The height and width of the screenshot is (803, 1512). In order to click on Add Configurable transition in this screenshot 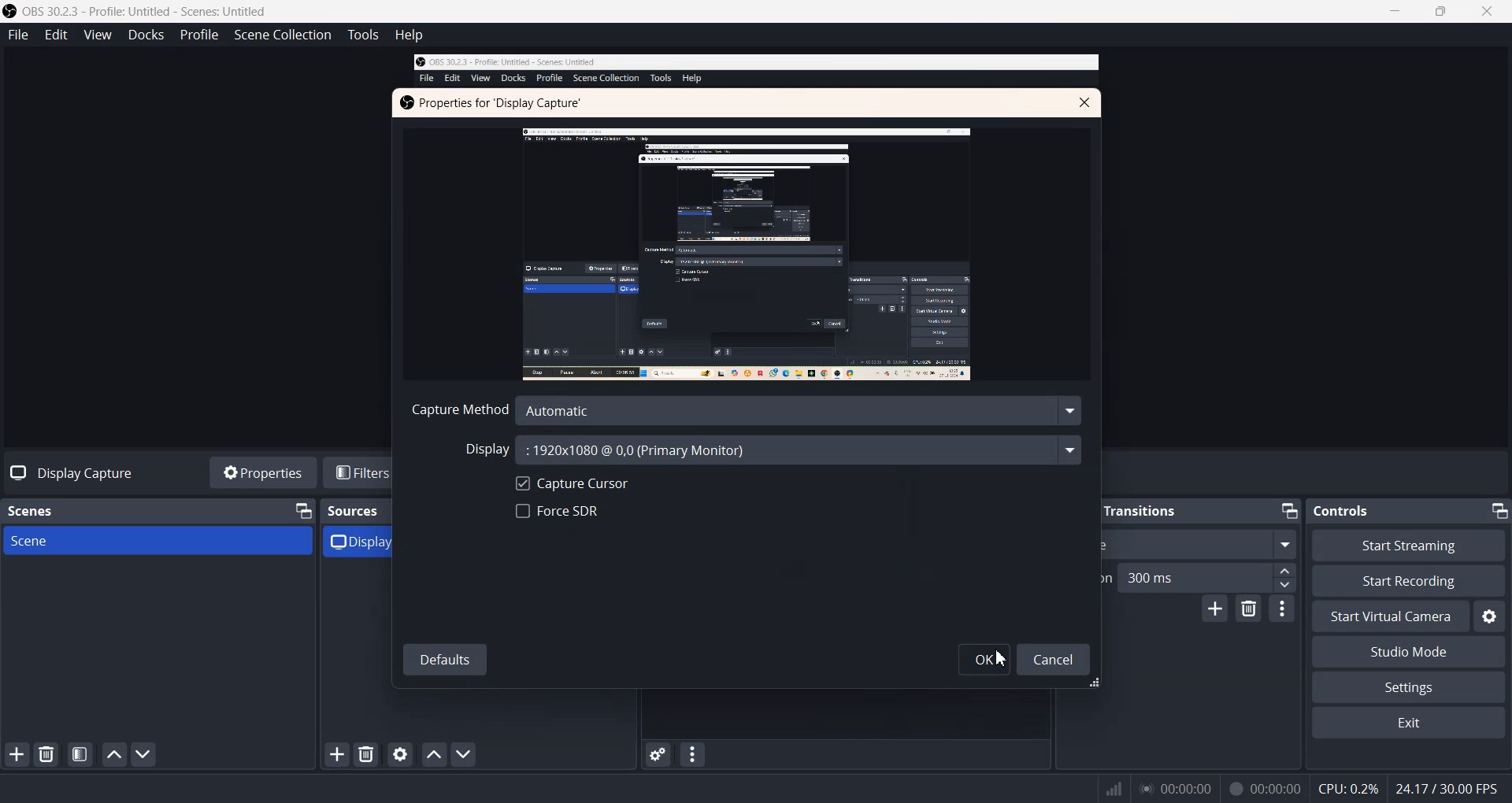, I will do `click(1214, 609)`.